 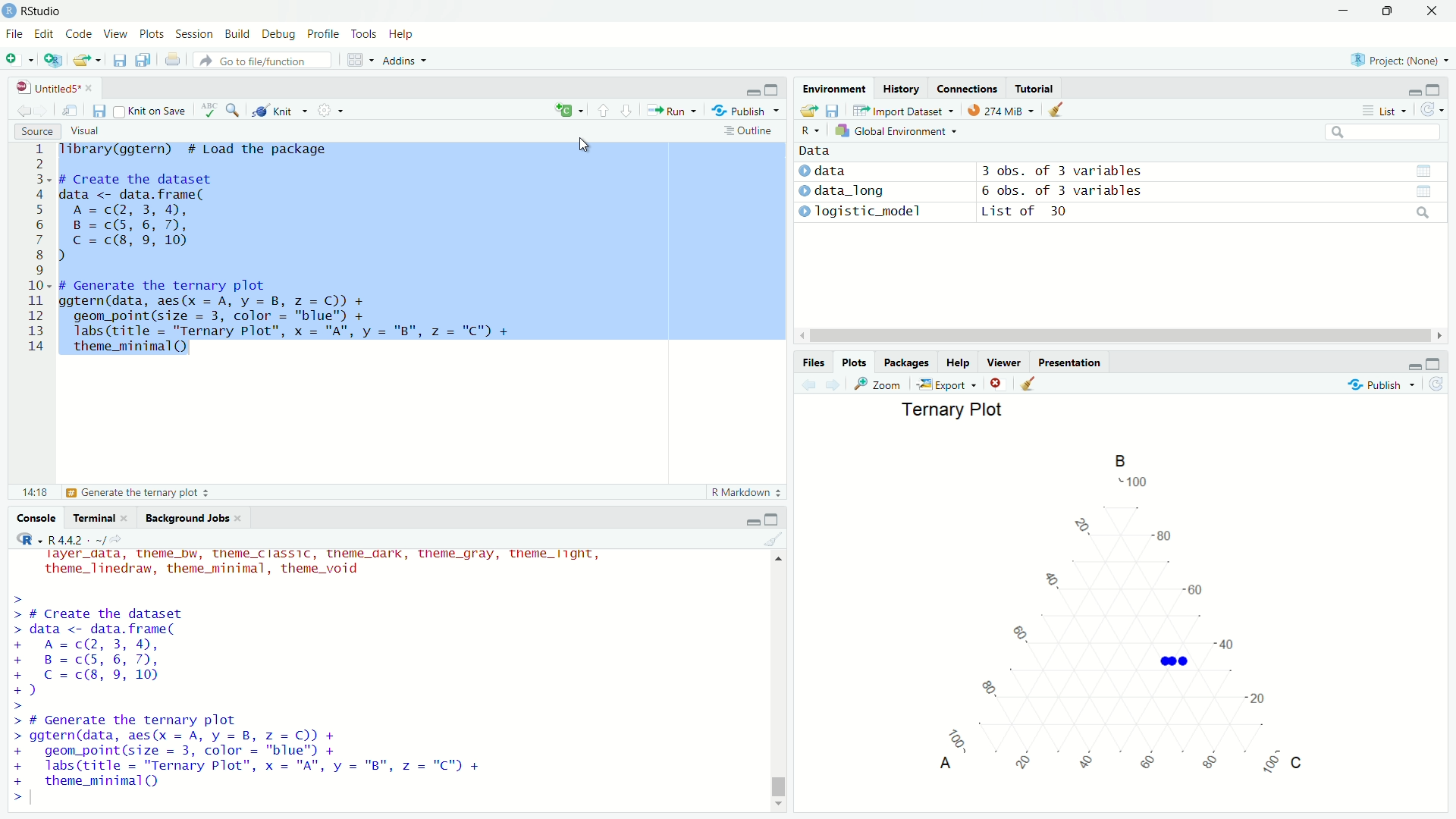 What do you see at coordinates (828, 91) in the screenshot?
I see `Environment` at bounding box center [828, 91].